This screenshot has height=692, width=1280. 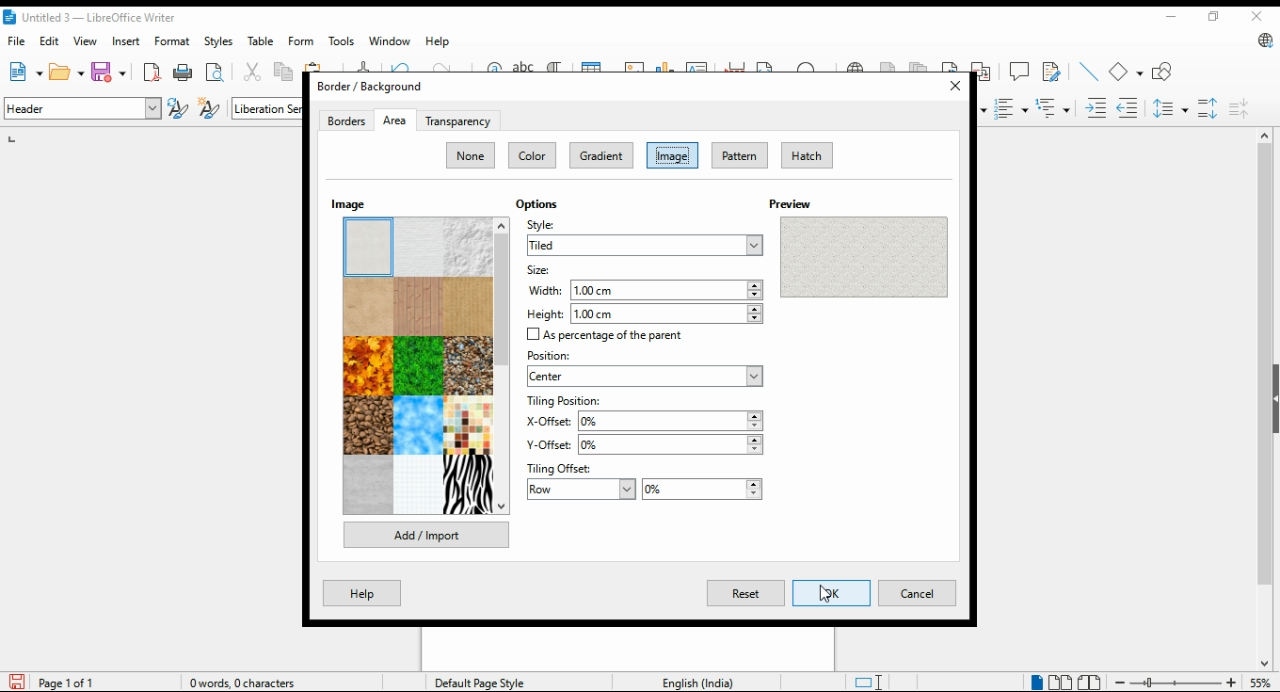 I want to click on y-offset, so click(x=646, y=446).